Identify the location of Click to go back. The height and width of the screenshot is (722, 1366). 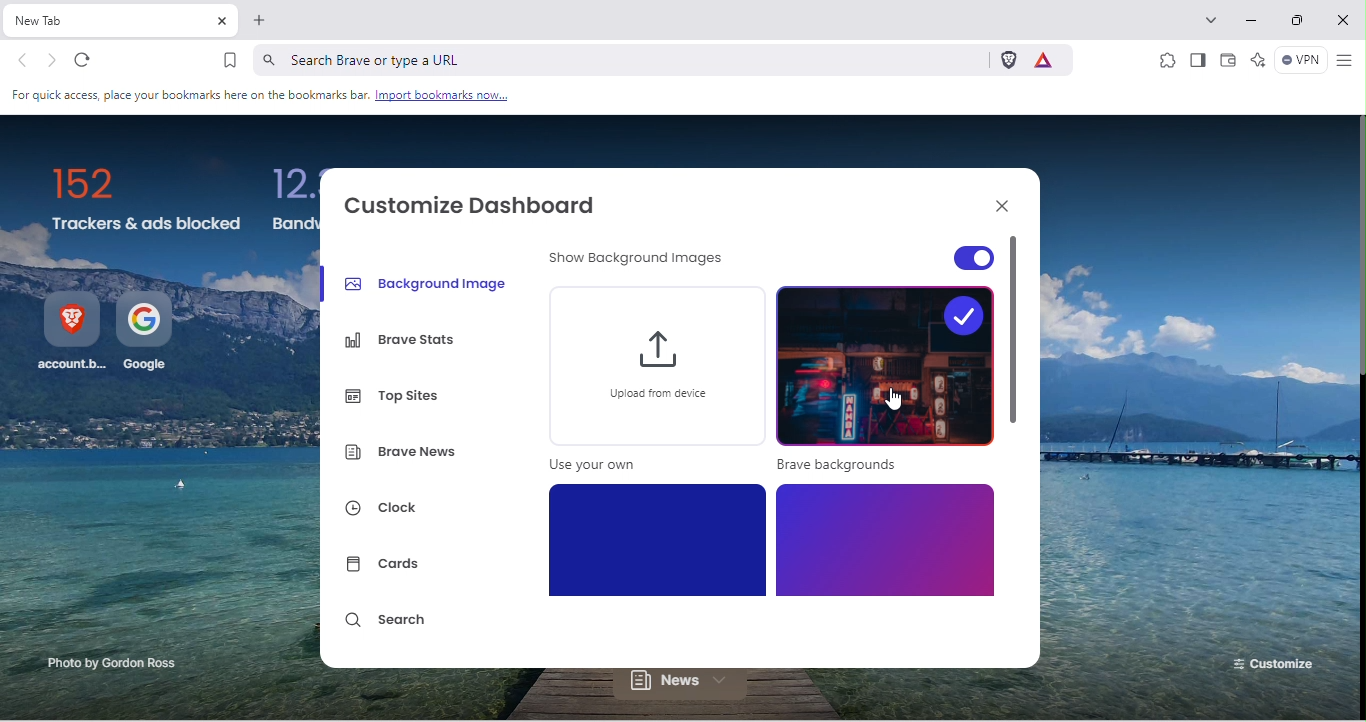
(23, 62).